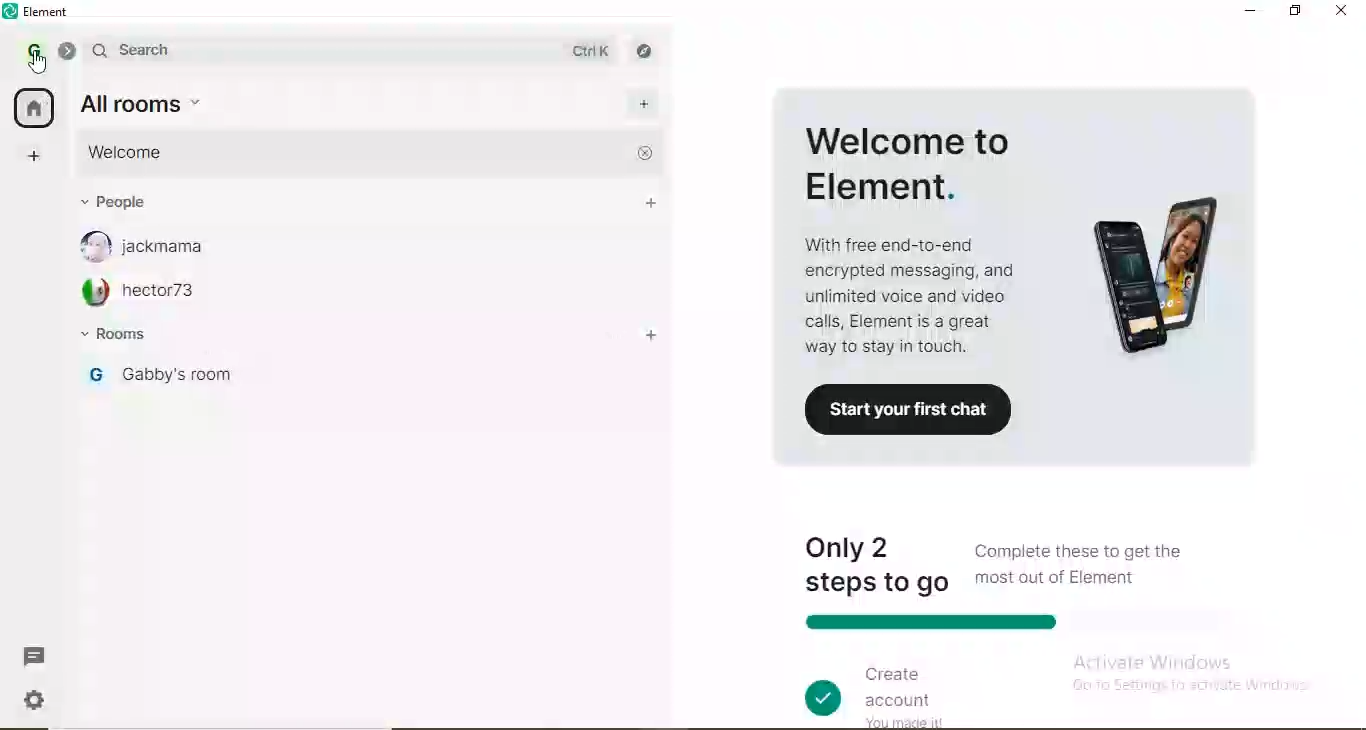  I want to click on hector73, so click(162, 293).